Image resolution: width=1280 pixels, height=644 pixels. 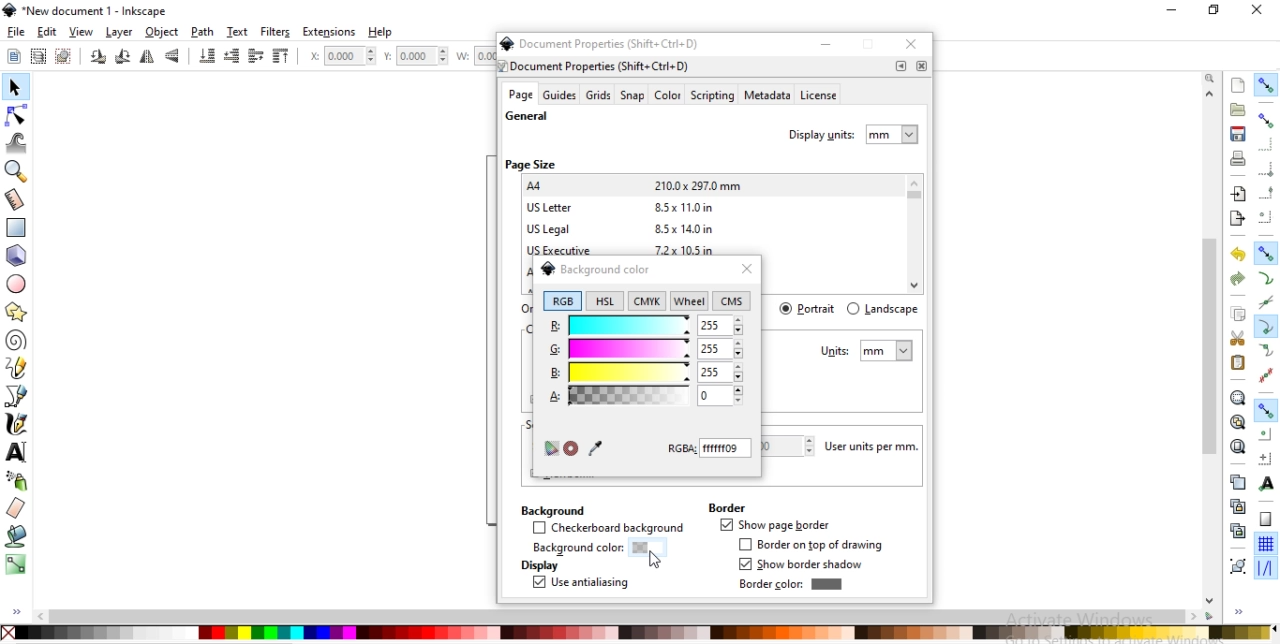 What do you see at coordinates (1265, 303) in the screenshot?
I see `snap to path intersections` at bounding box center [1265, 303].